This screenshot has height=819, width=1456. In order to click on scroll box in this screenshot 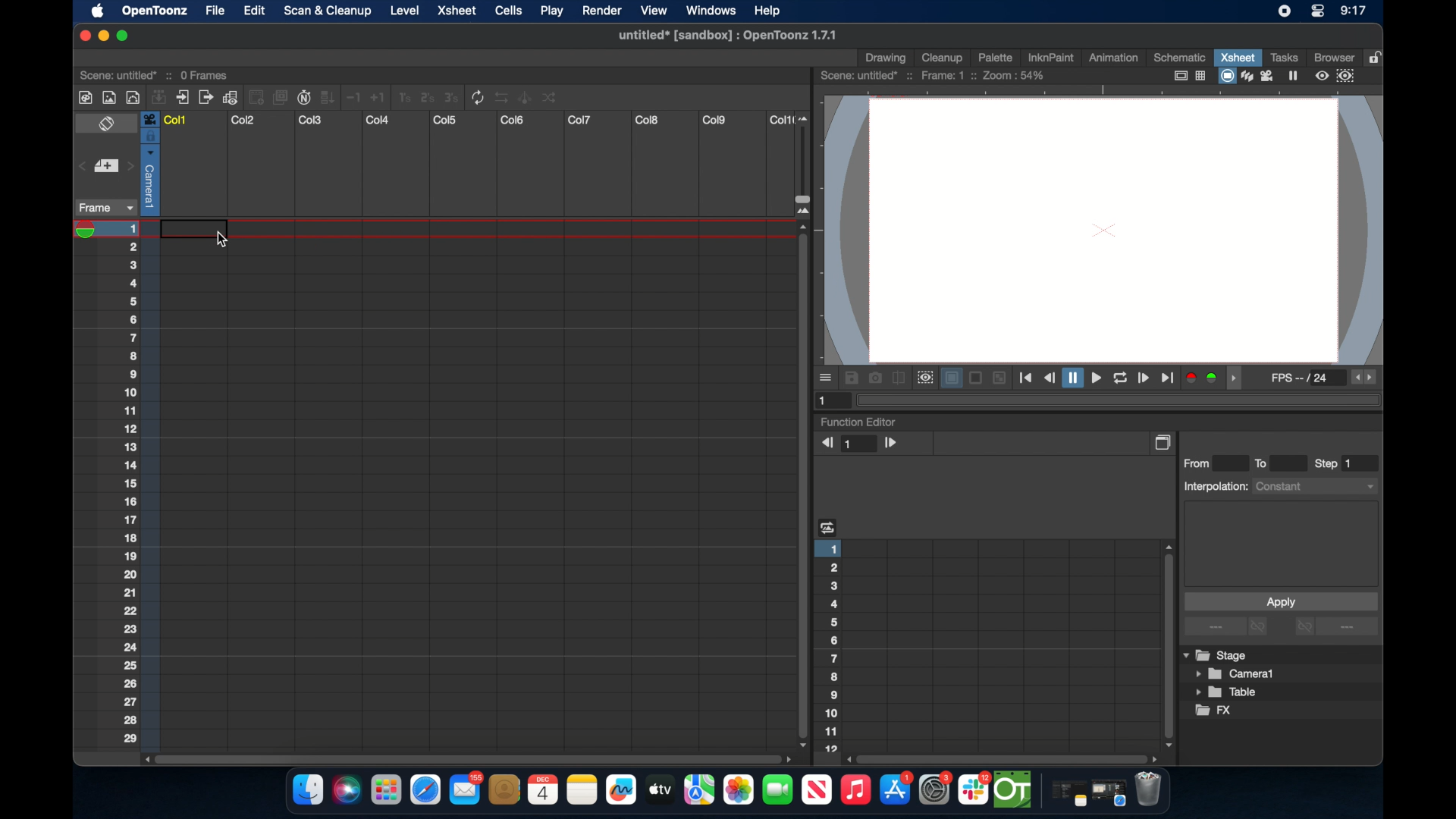, I will do `click(466, 758)`.